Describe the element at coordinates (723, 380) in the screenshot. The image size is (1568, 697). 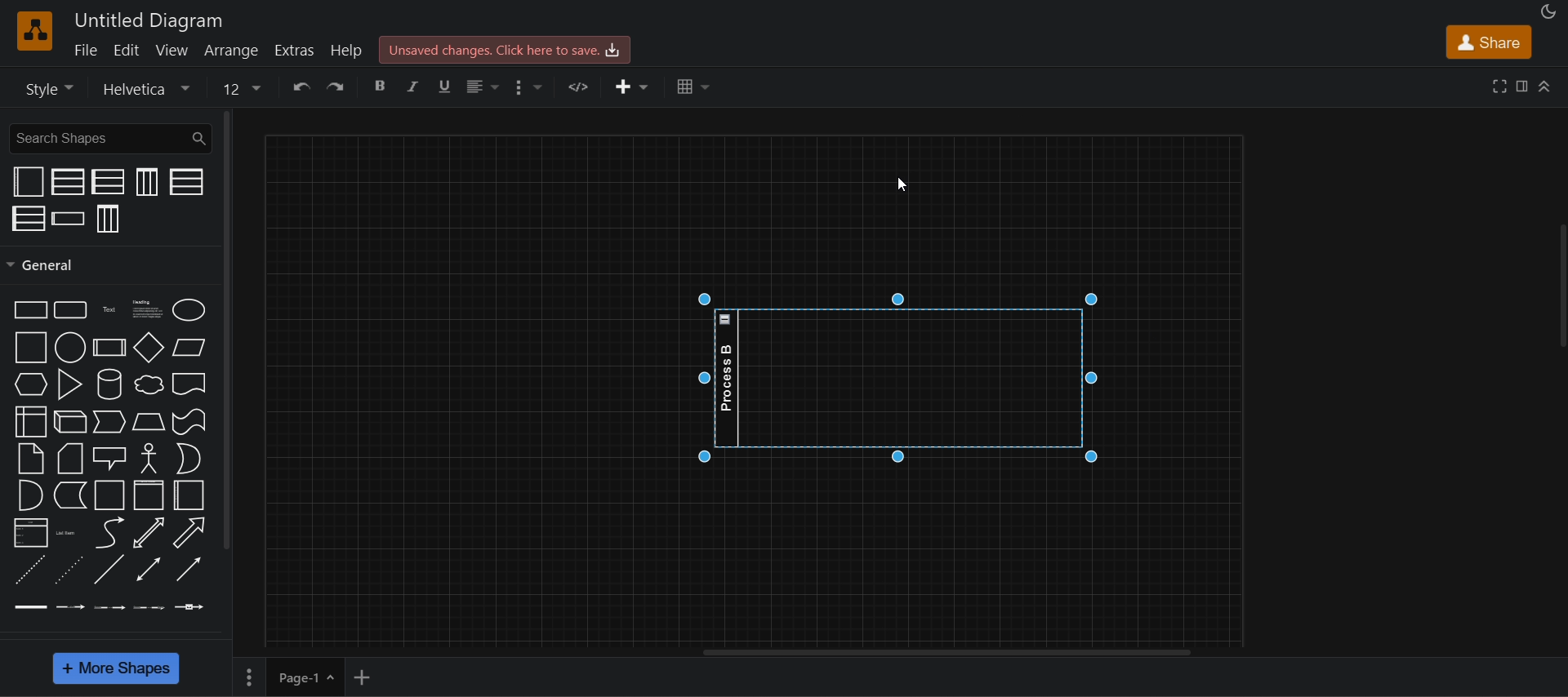
I see `Process B` at that location.